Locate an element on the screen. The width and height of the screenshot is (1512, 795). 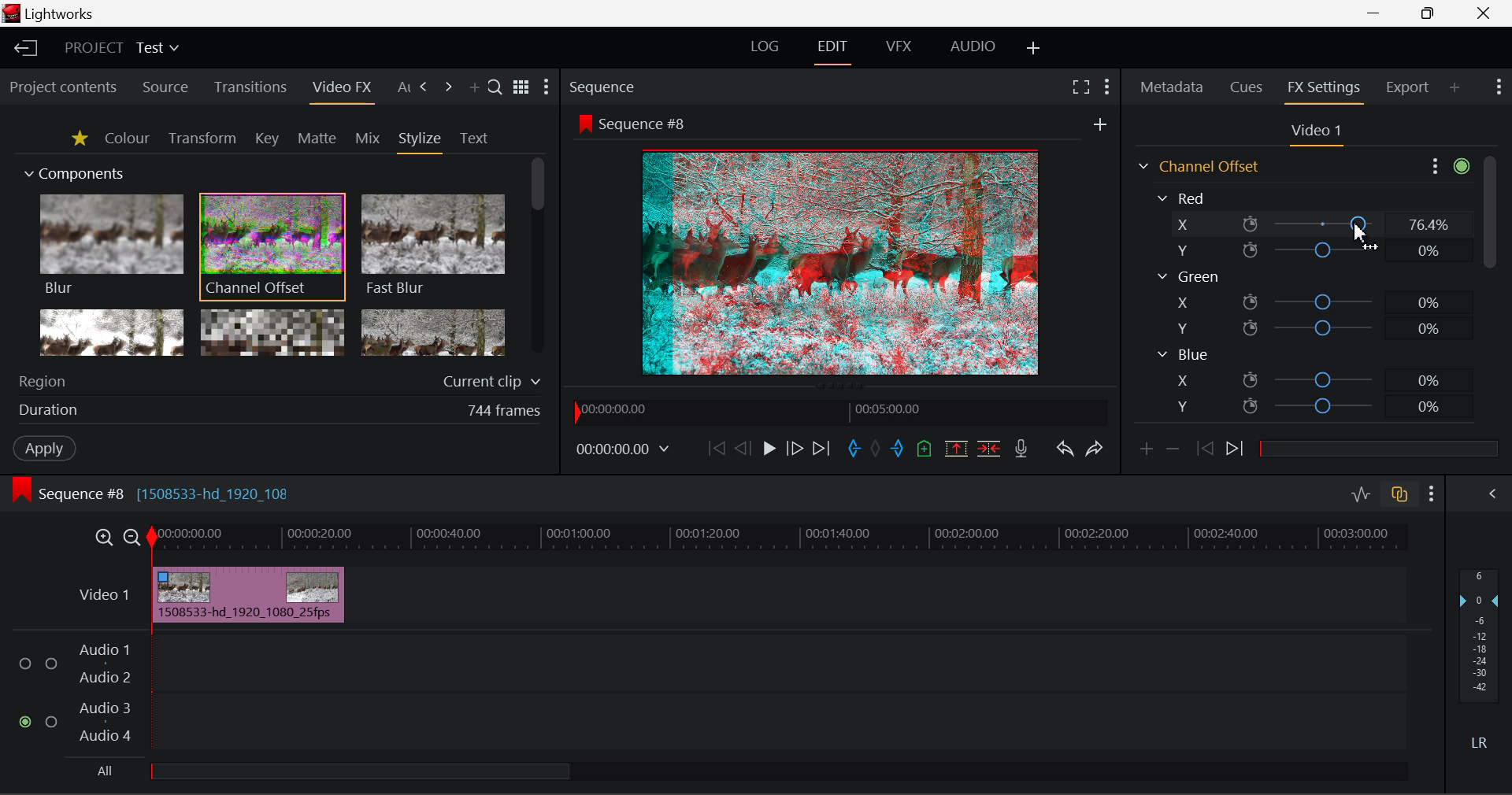
Add Panel is located at coordinates (474, 89).